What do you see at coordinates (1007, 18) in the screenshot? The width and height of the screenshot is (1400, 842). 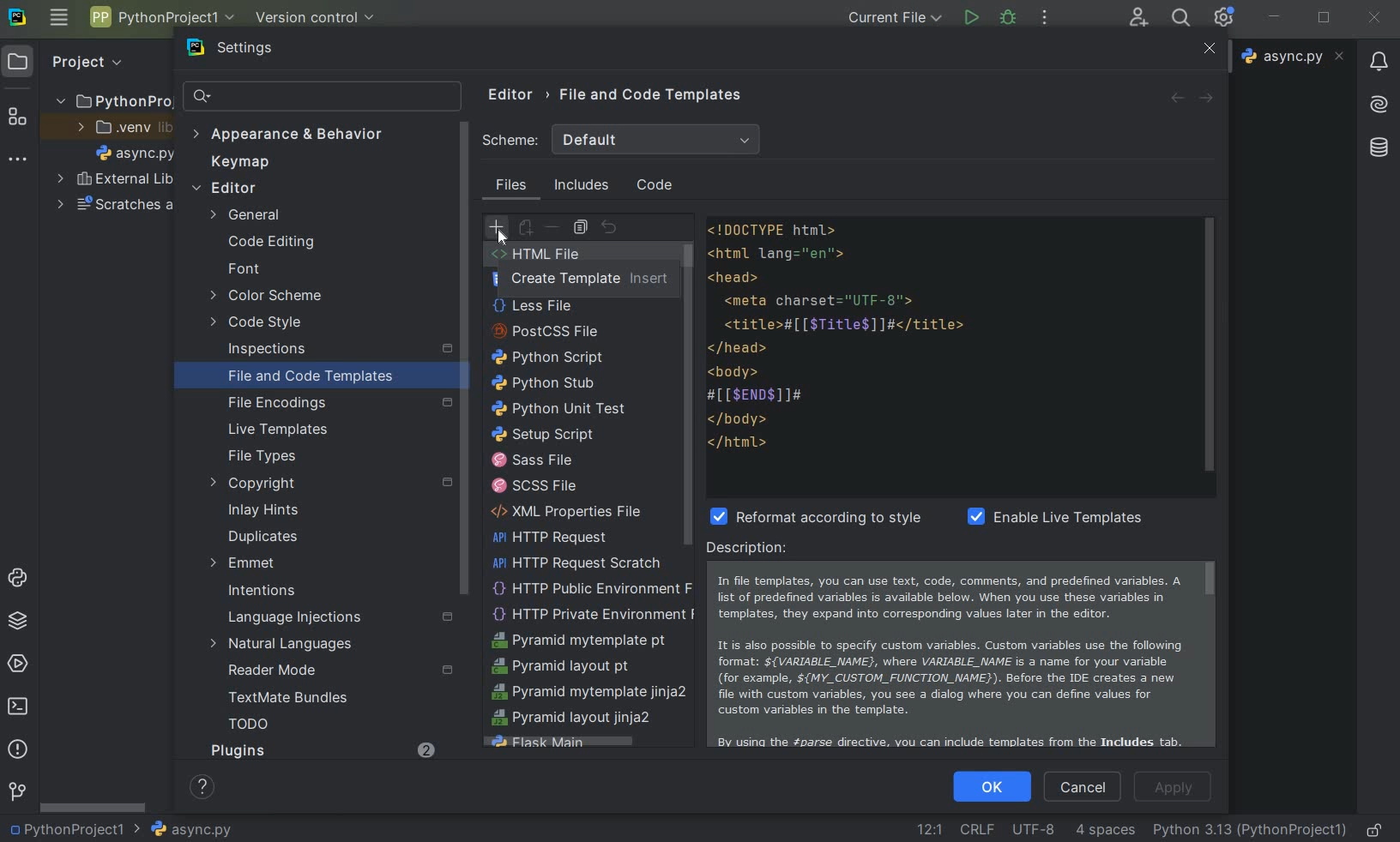 I see `debug` at bounding box center [1007, 18].